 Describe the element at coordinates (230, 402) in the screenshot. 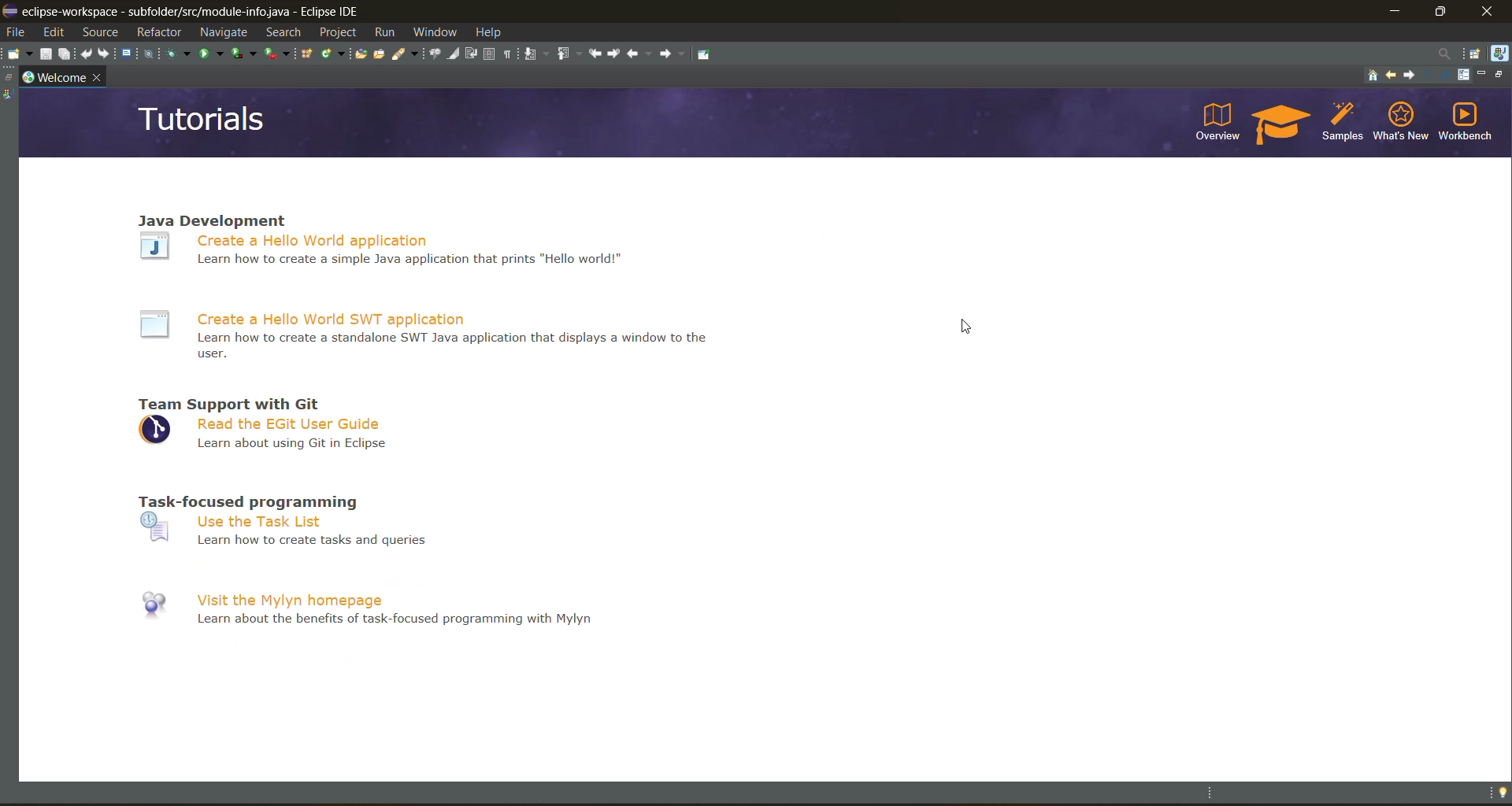

I see `team support with GIt` at that location.